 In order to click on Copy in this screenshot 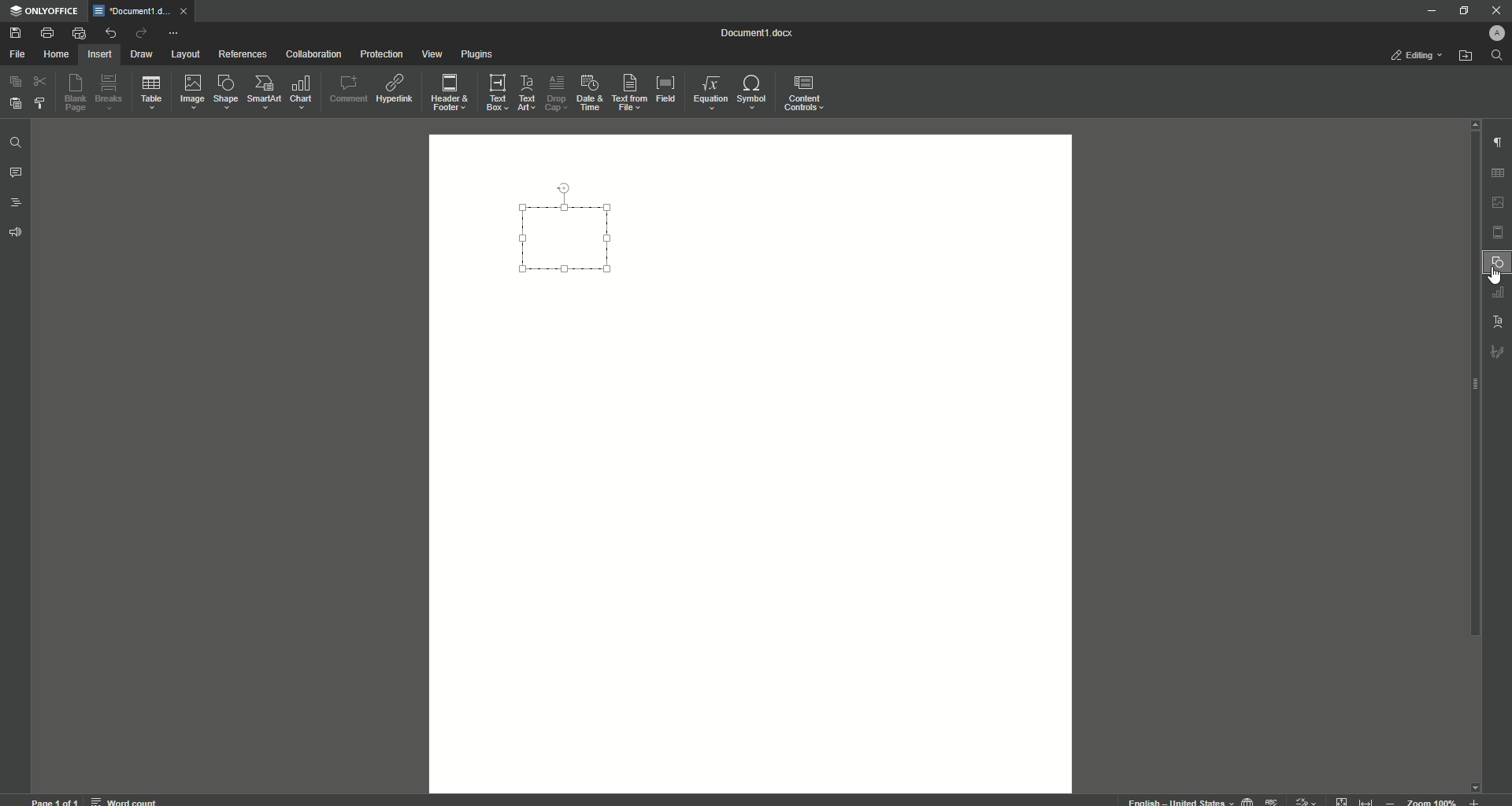, I will do `click(16, 82)`.